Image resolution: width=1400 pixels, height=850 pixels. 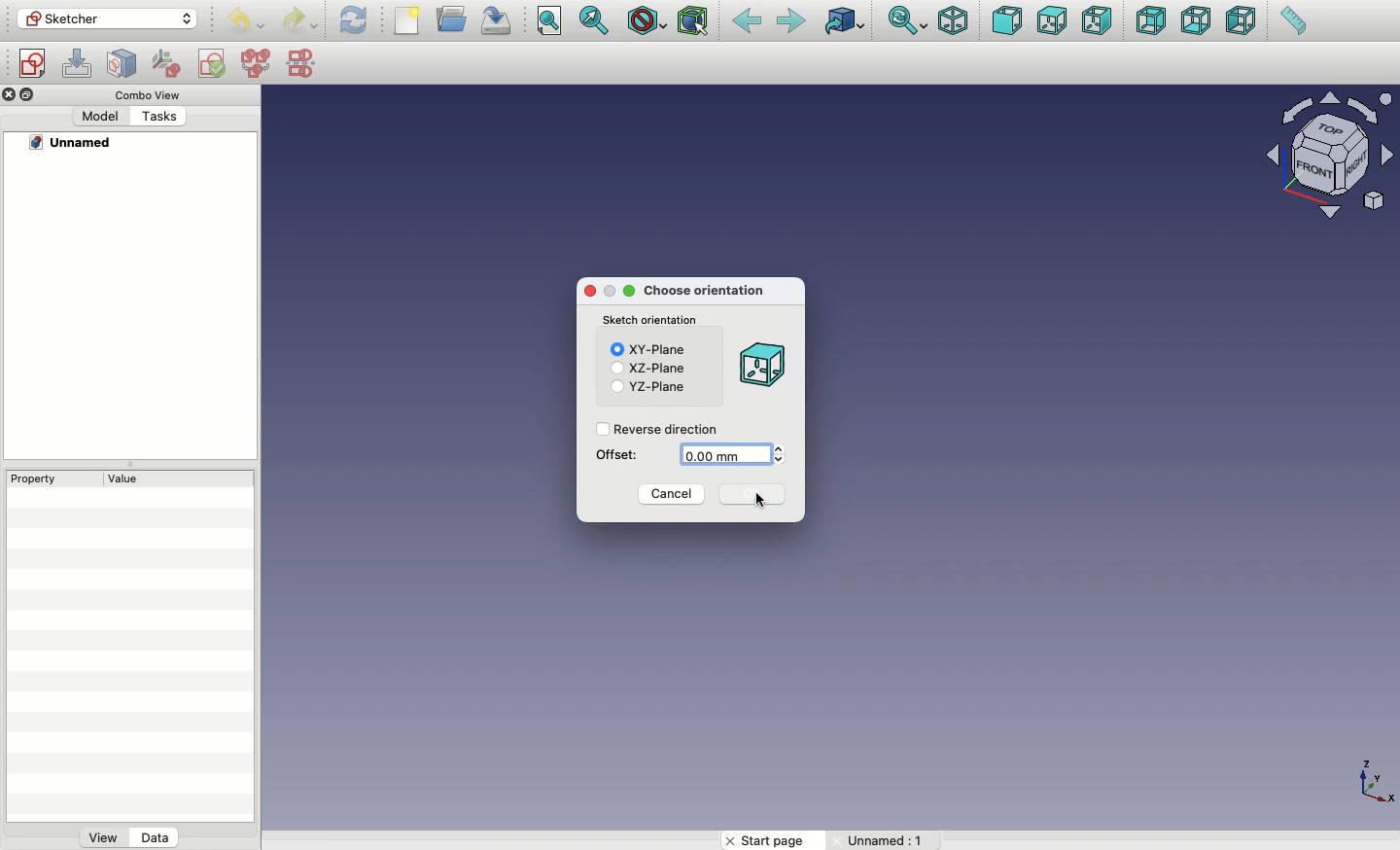 What do you see at coordinates (772, 840) in the screenshot?
I see `Start page` at bounding box center [772, 840].